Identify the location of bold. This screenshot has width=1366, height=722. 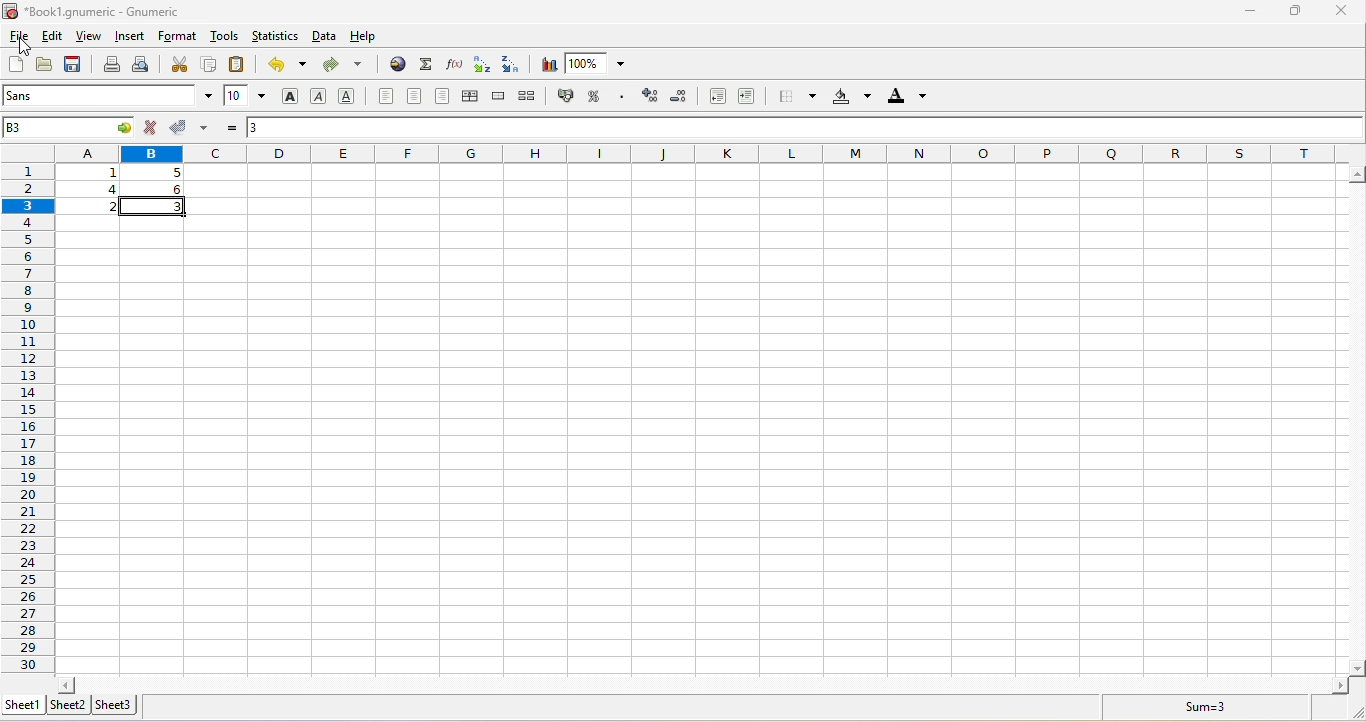
(293, 99).